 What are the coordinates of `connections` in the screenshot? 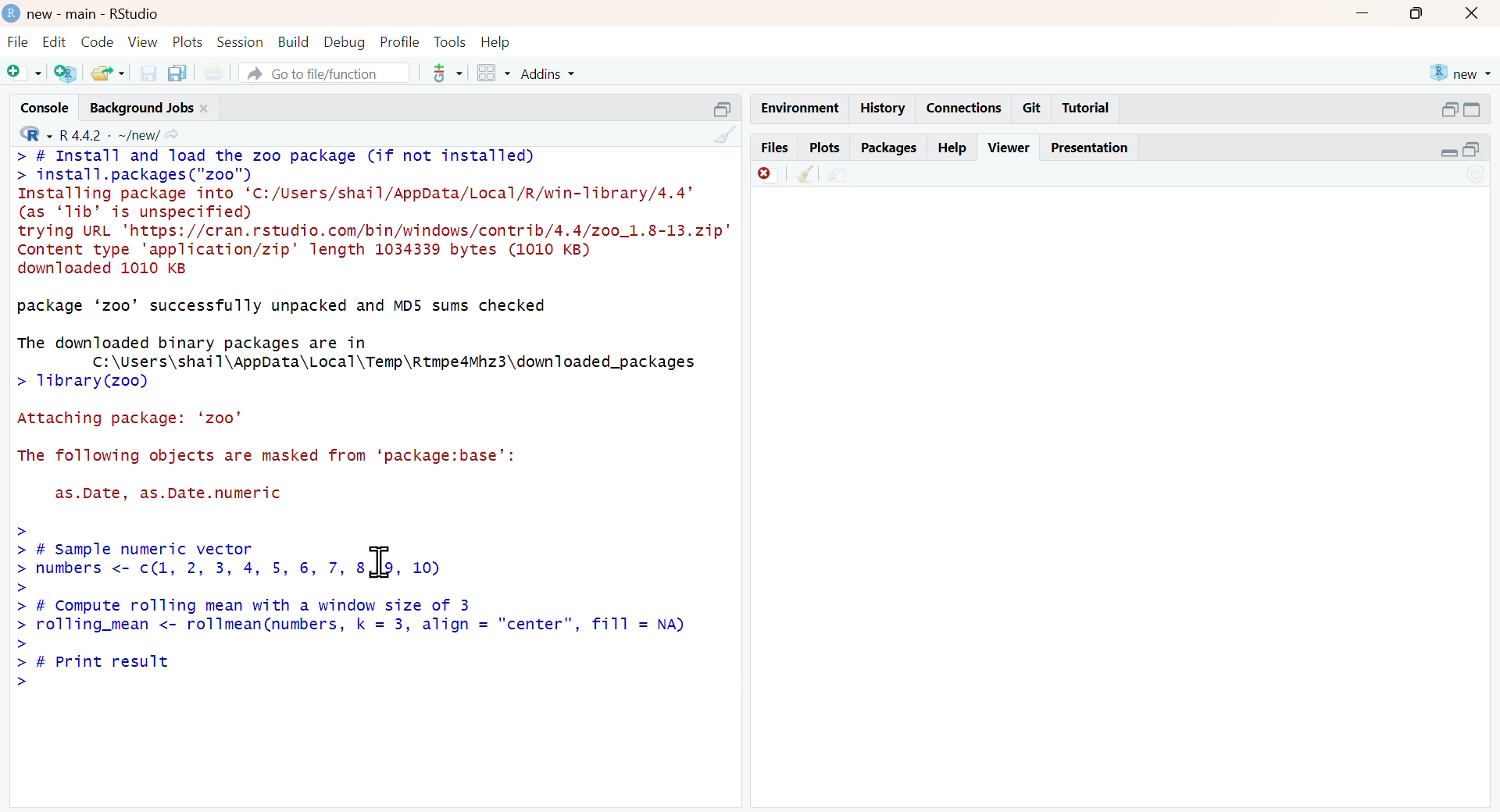 It's located at (961, 108).